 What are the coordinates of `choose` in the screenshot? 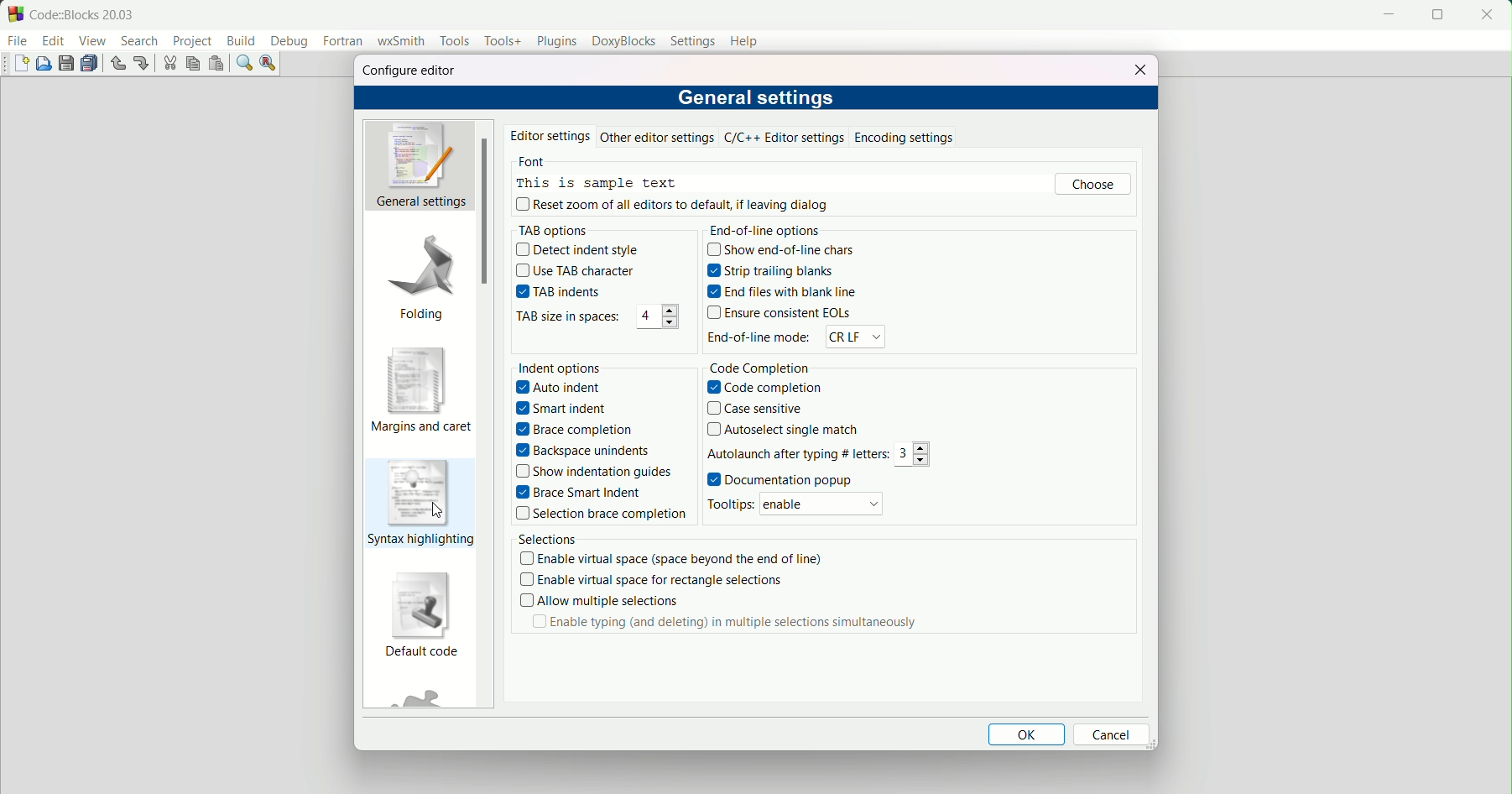 It's located at (1093, 185).